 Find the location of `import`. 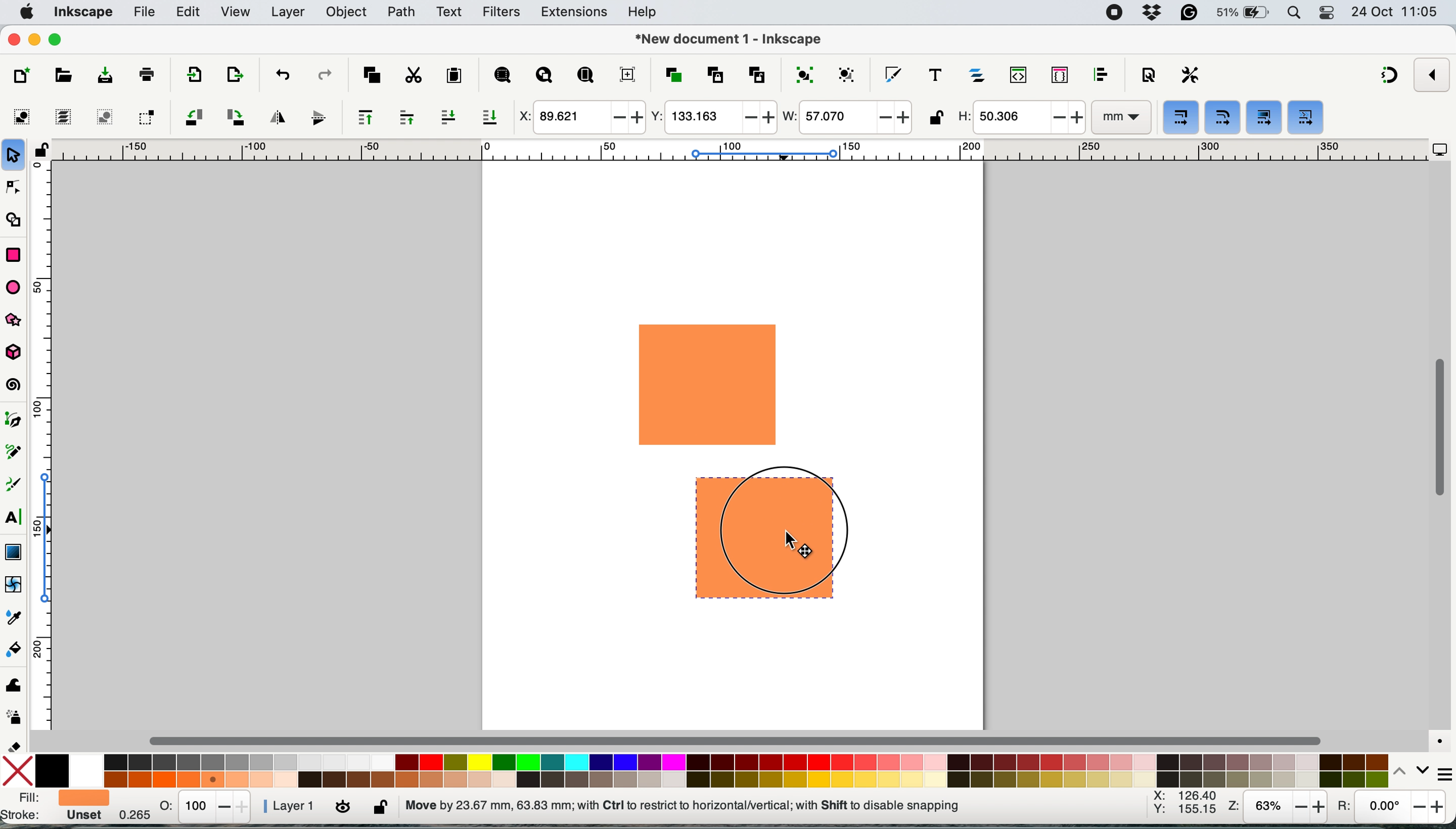

import is located at coordinates (191, 76).